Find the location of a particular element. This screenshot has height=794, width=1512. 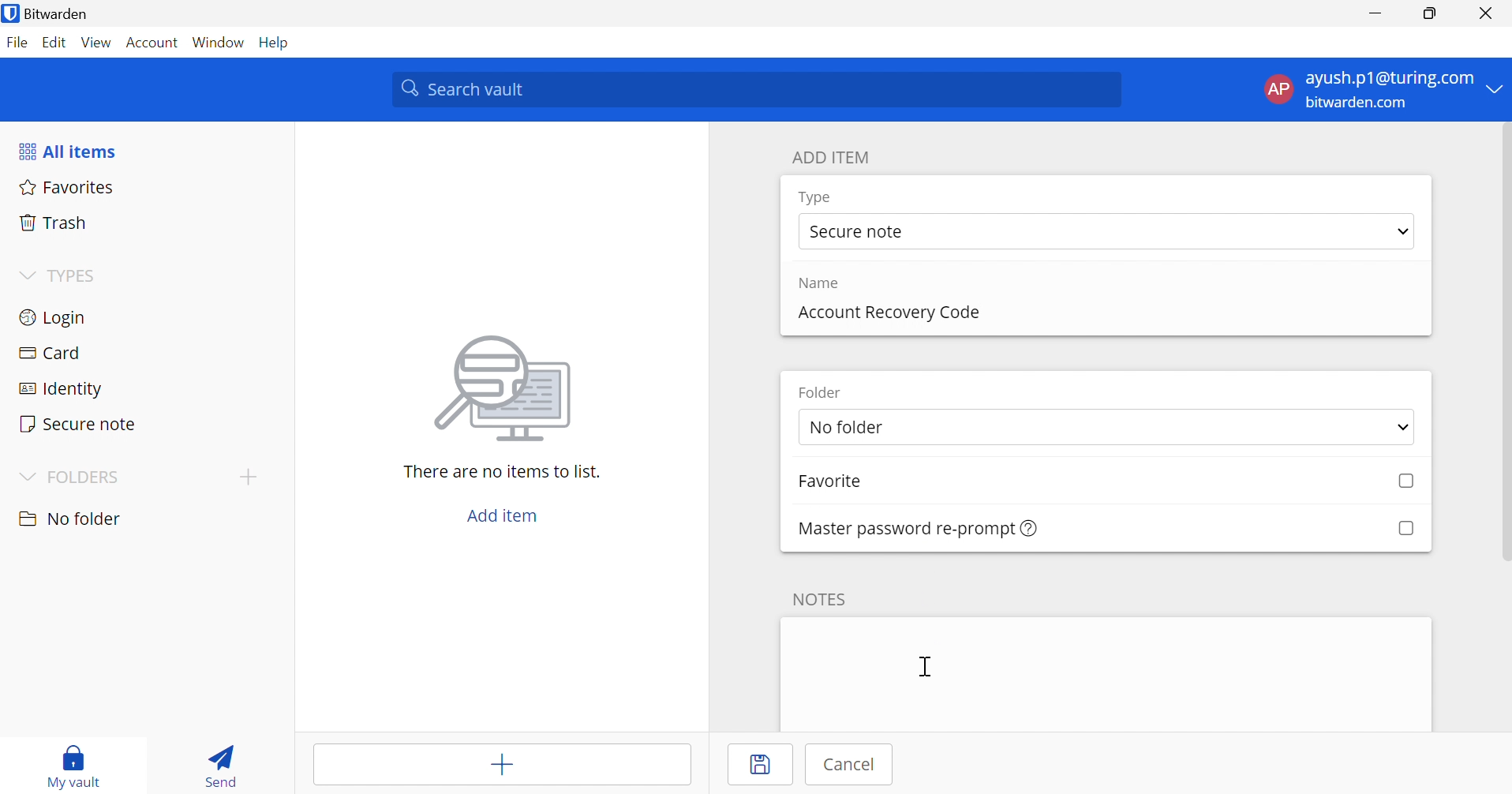

Window is located at coordinates (219, 43).